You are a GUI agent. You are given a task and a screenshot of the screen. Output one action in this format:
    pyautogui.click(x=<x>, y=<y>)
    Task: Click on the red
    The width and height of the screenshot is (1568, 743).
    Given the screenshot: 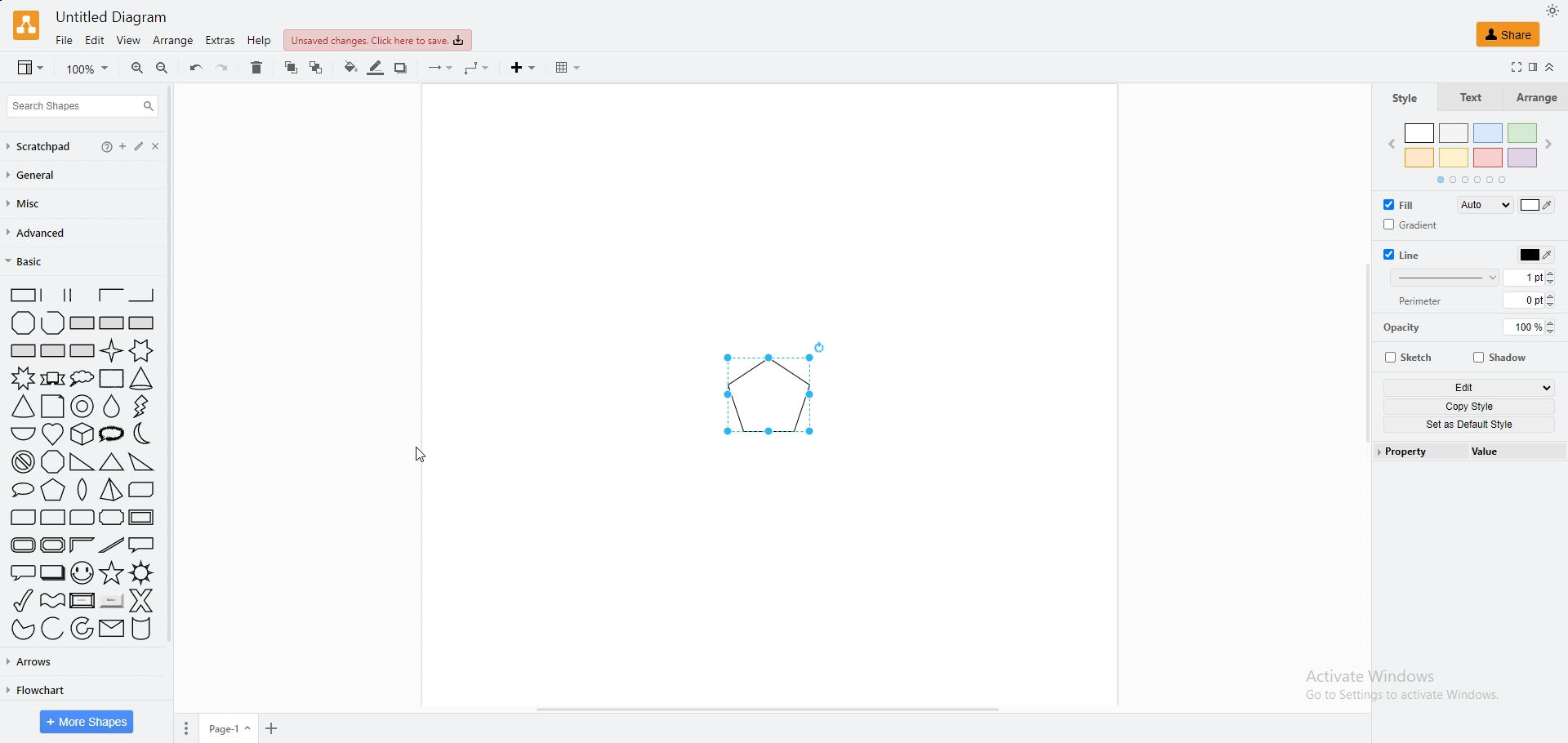 What is the action you would take?
    pyautogui.click(x=1488, y=157)
    